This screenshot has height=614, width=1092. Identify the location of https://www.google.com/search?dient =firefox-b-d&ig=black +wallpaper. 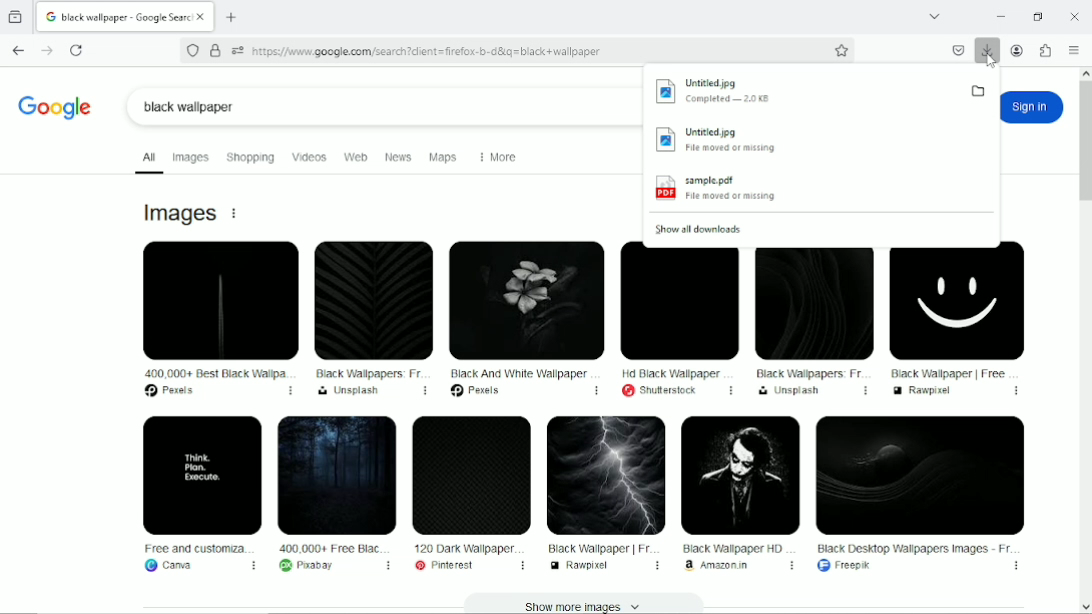
(427, 52).